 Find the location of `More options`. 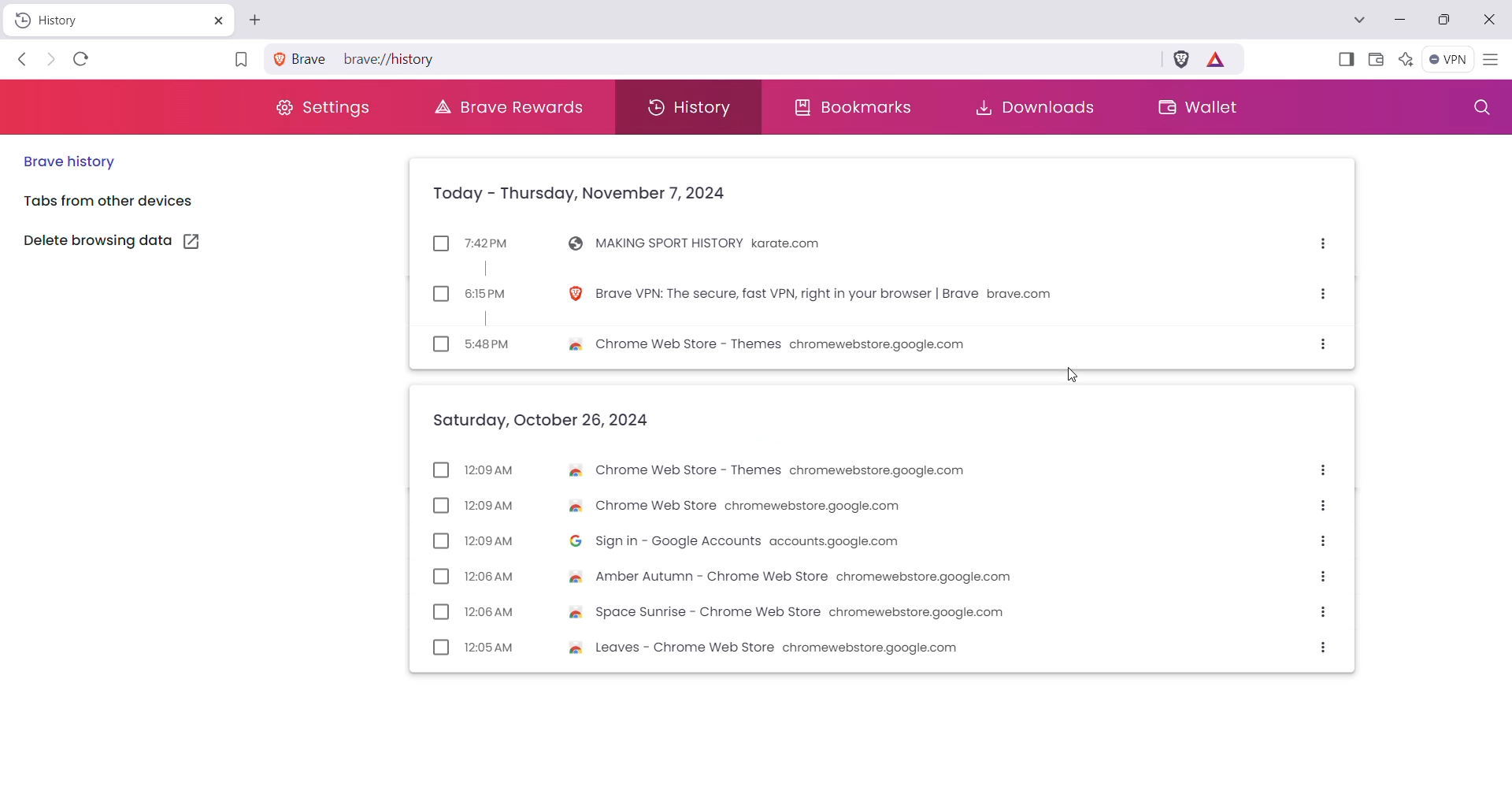

More options is located at coordinates (1309, 341).